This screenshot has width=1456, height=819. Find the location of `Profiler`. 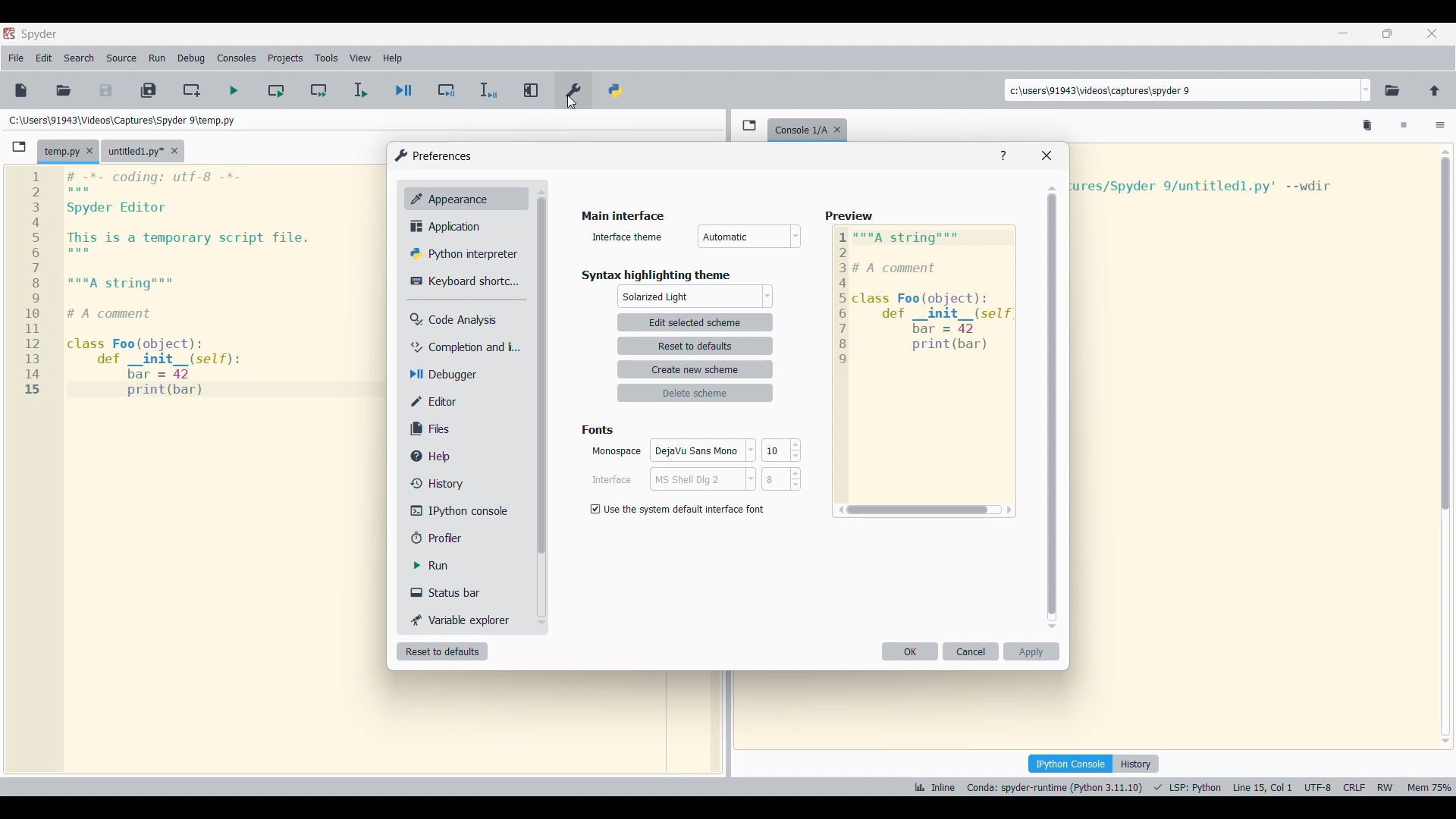

Profiler is located at coordinates (466, 537).